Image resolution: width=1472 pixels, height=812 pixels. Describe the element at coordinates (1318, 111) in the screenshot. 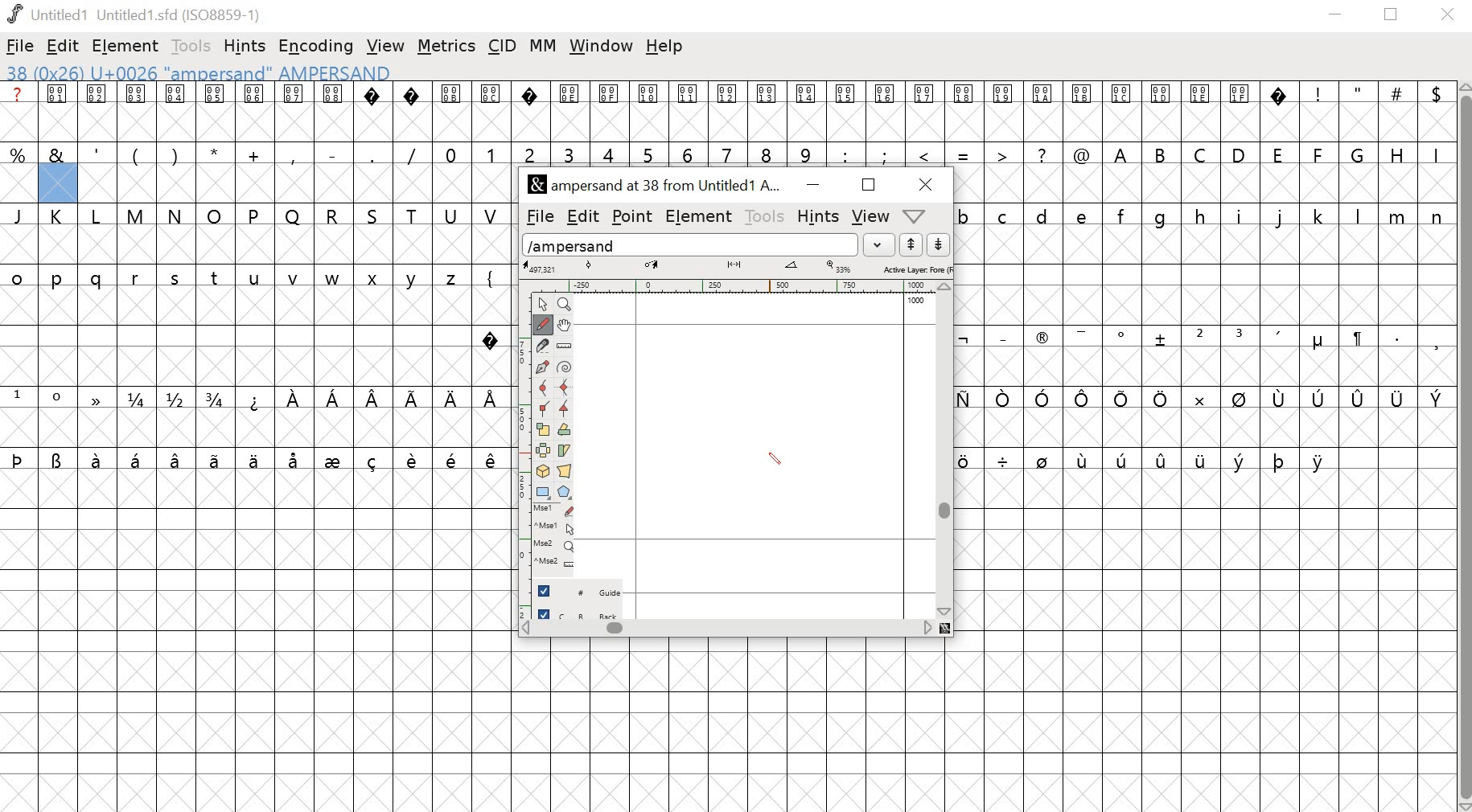

I see `!` at that location.